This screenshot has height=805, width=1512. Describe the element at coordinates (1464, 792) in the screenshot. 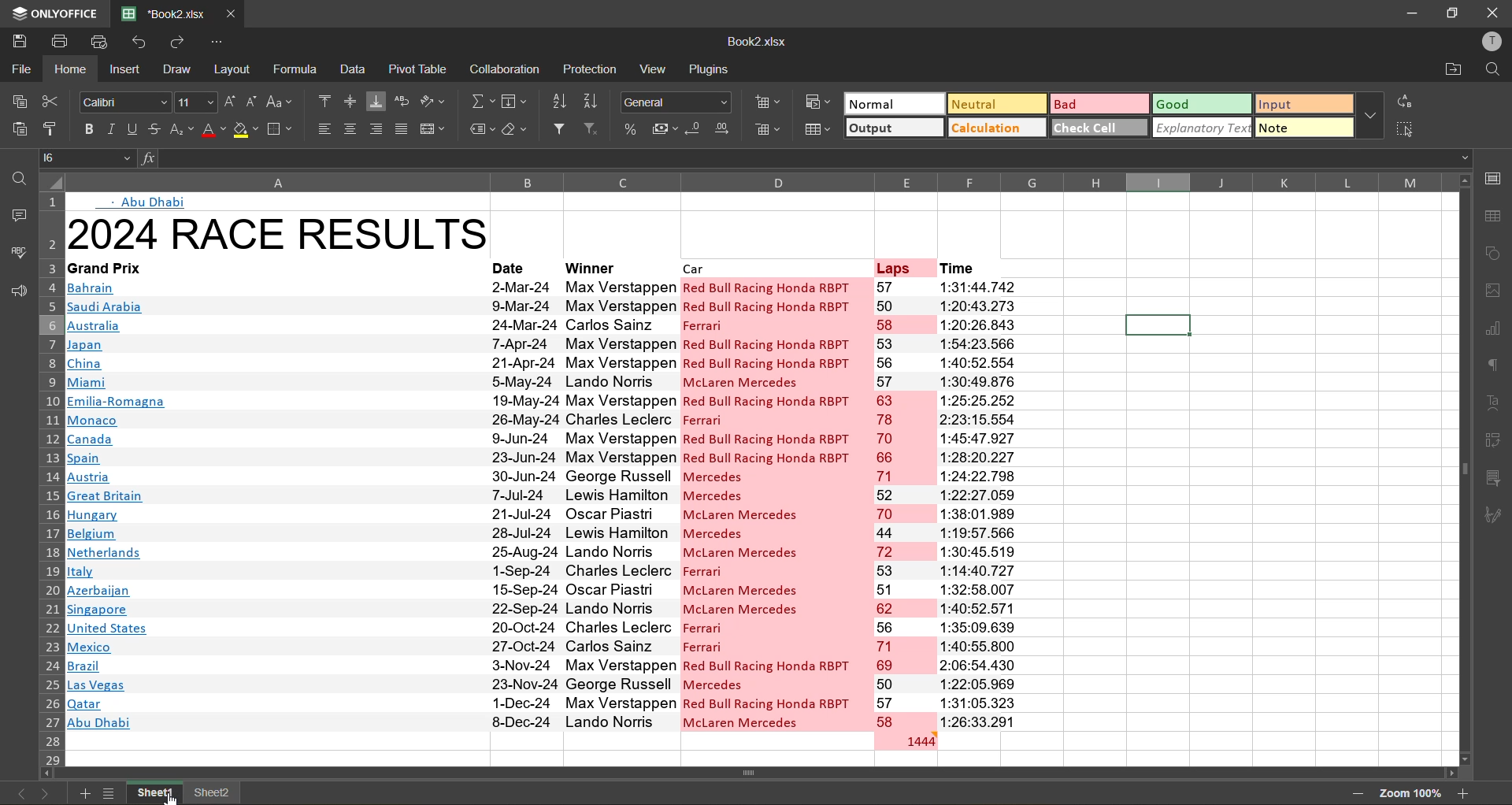

I see `zoom in ` at that location.